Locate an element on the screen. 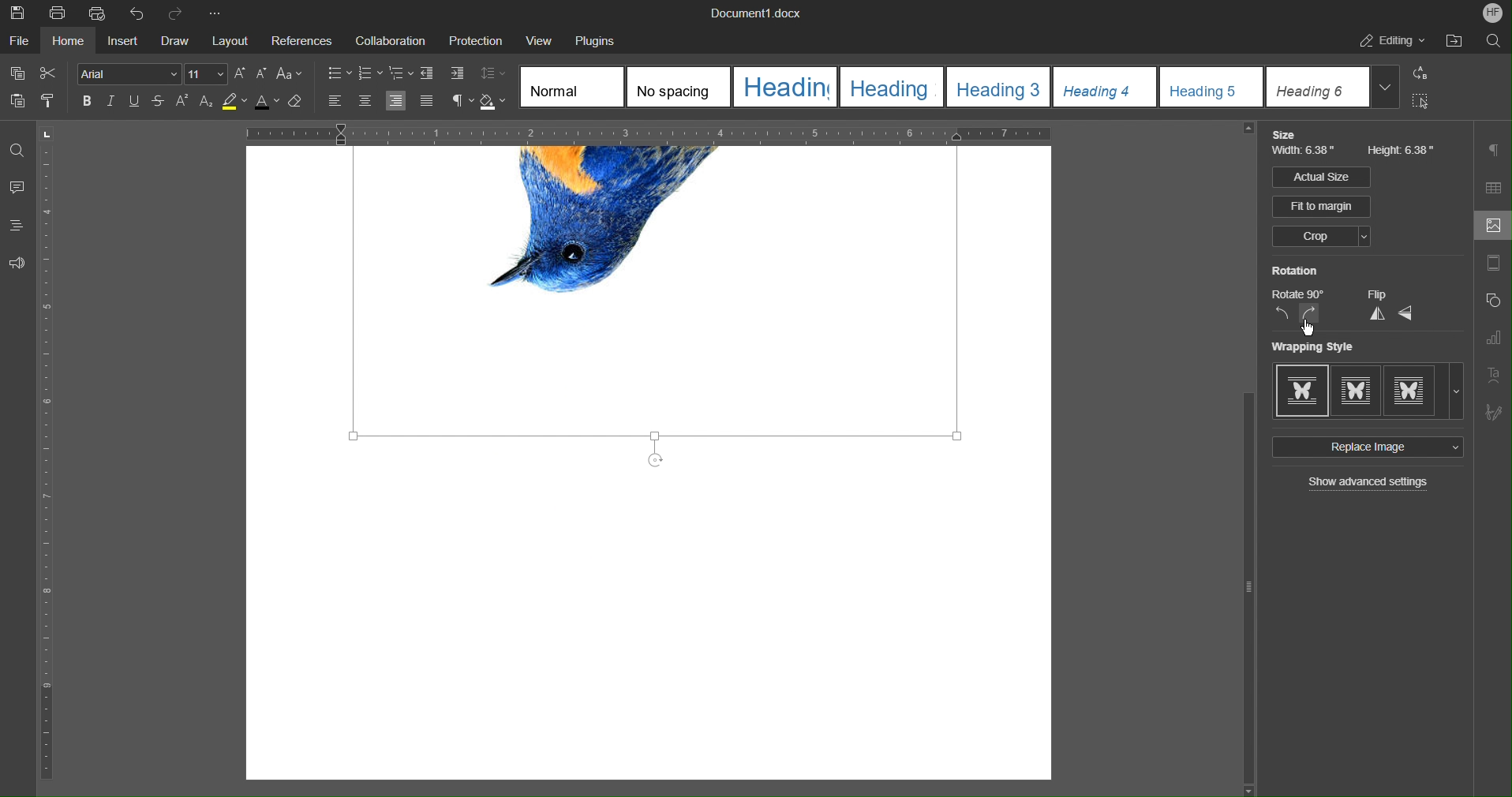 This screenshot has height=797, width=1512. Layout is located at coordinates (227, 39).